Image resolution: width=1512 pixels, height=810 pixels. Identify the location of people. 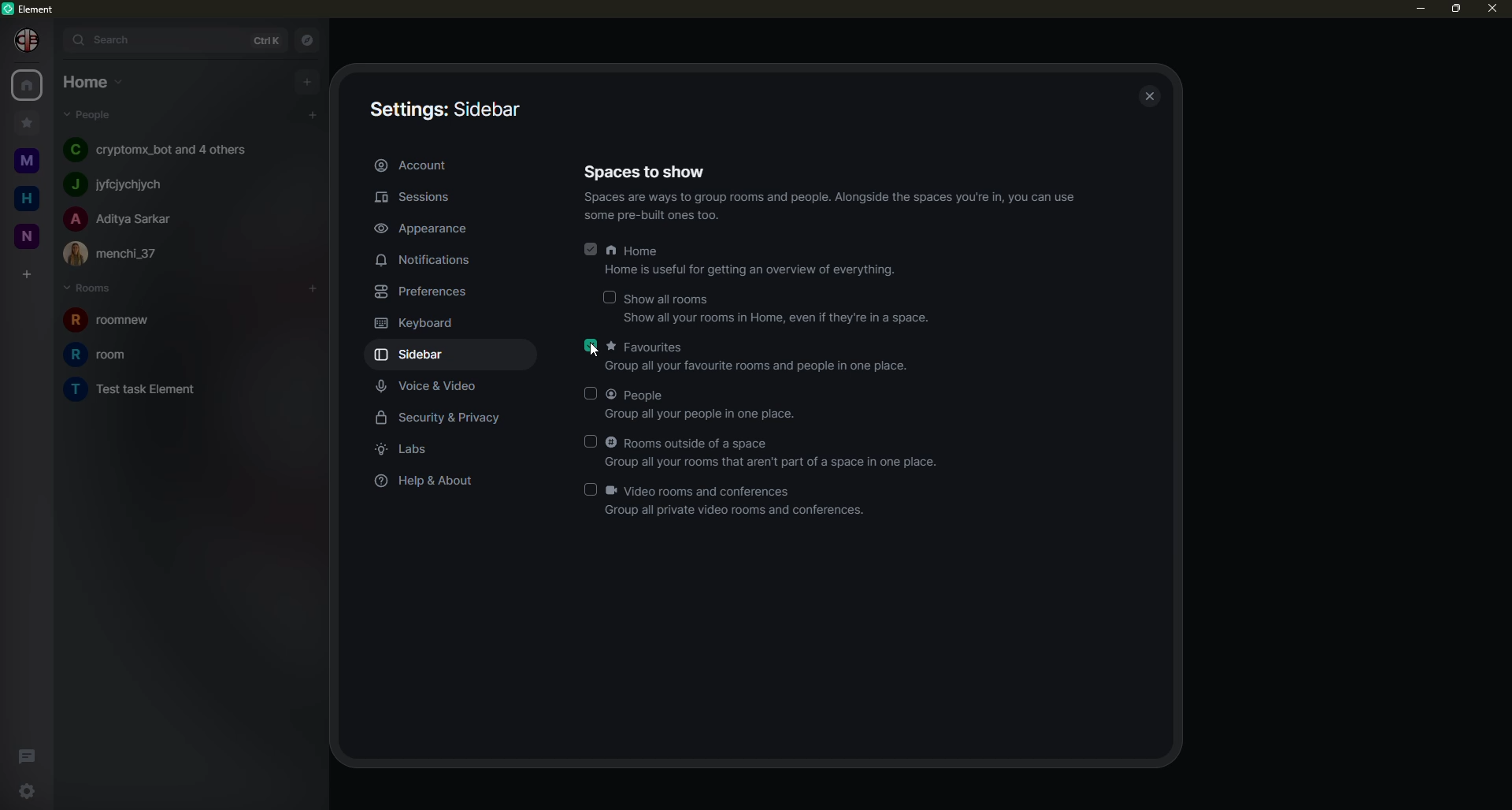
(120, 254).